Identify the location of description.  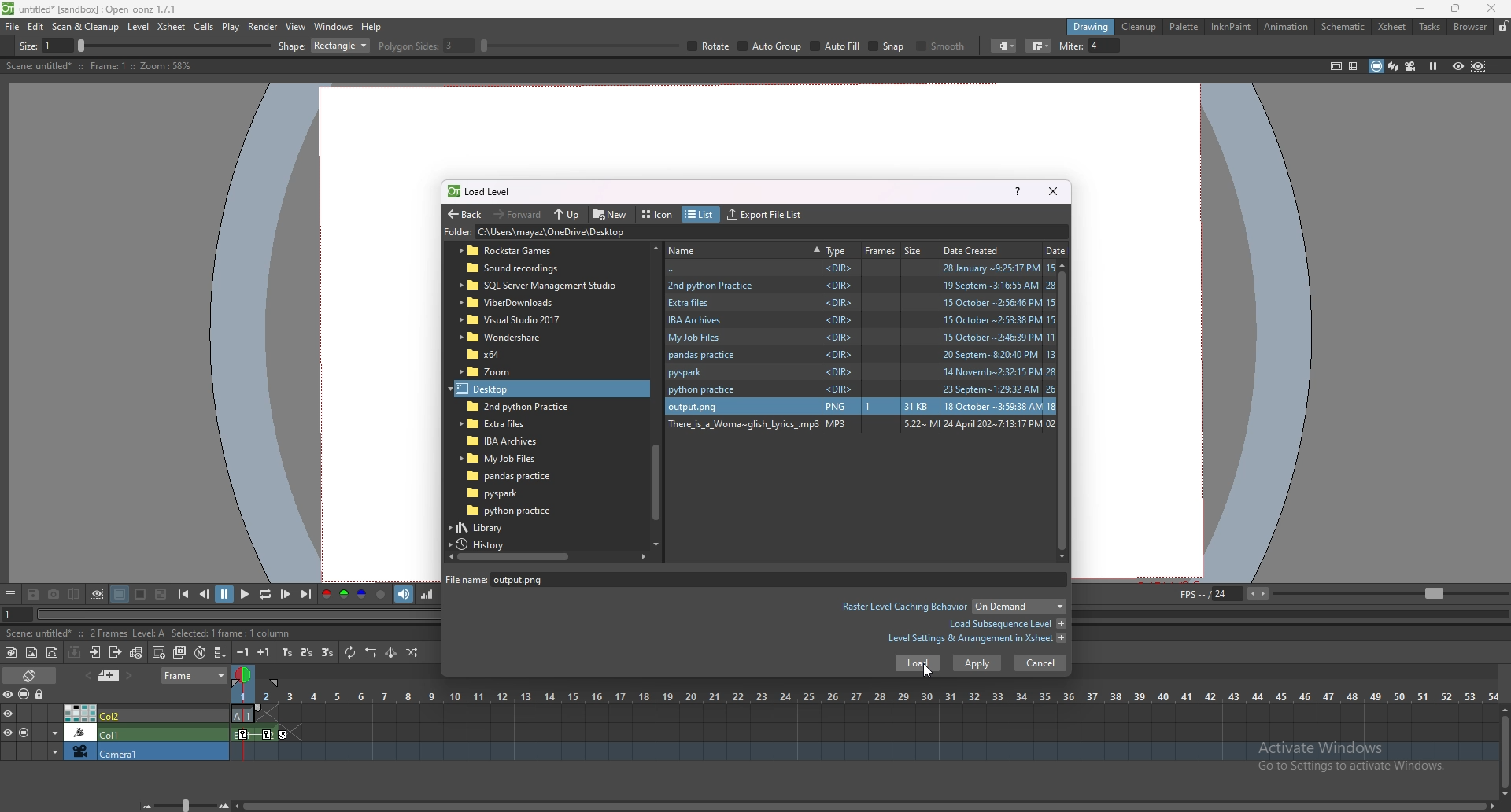
(98, 66).